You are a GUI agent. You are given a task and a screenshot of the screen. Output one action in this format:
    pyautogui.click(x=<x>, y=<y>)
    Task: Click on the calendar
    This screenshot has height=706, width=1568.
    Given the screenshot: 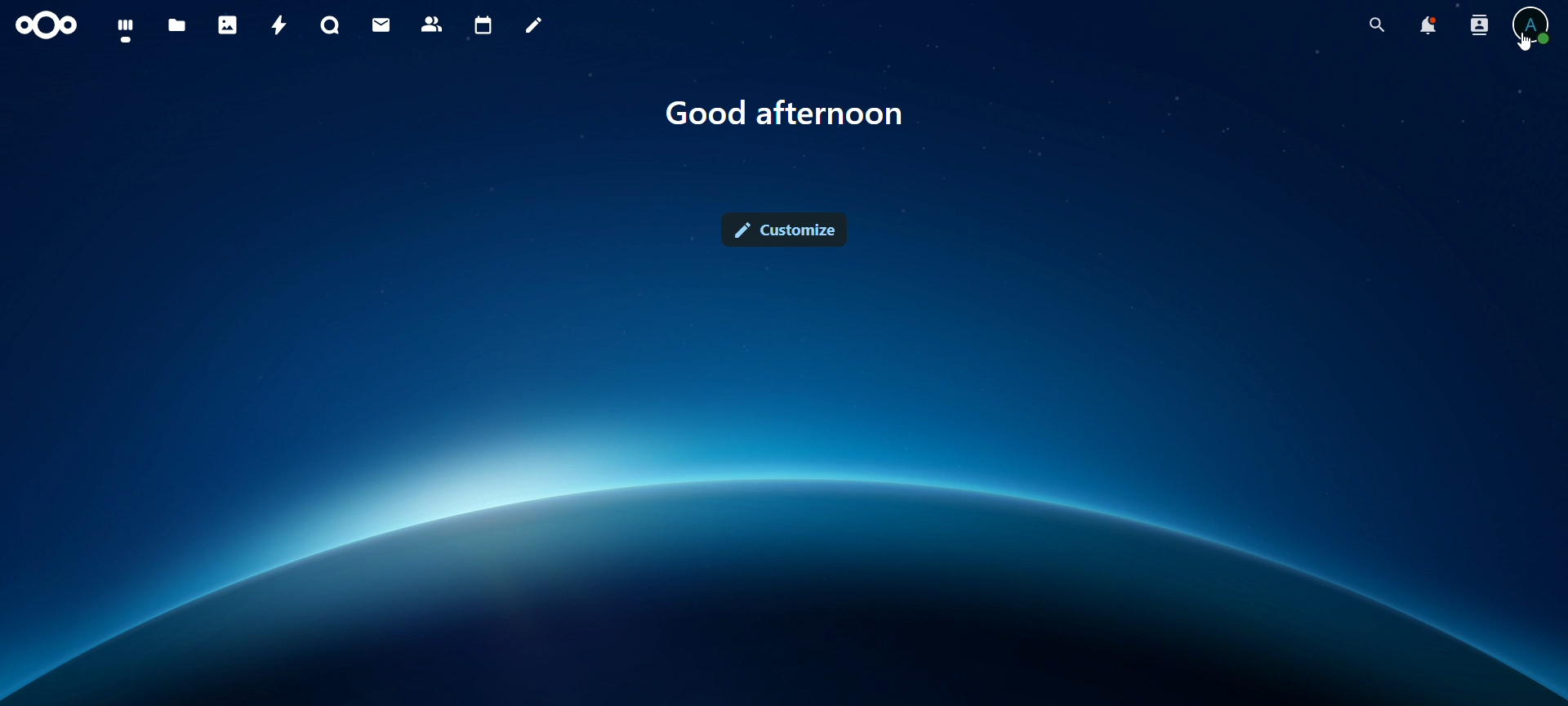 What is the action you would take?
    pyautogui.click(x=483, y=27)
    